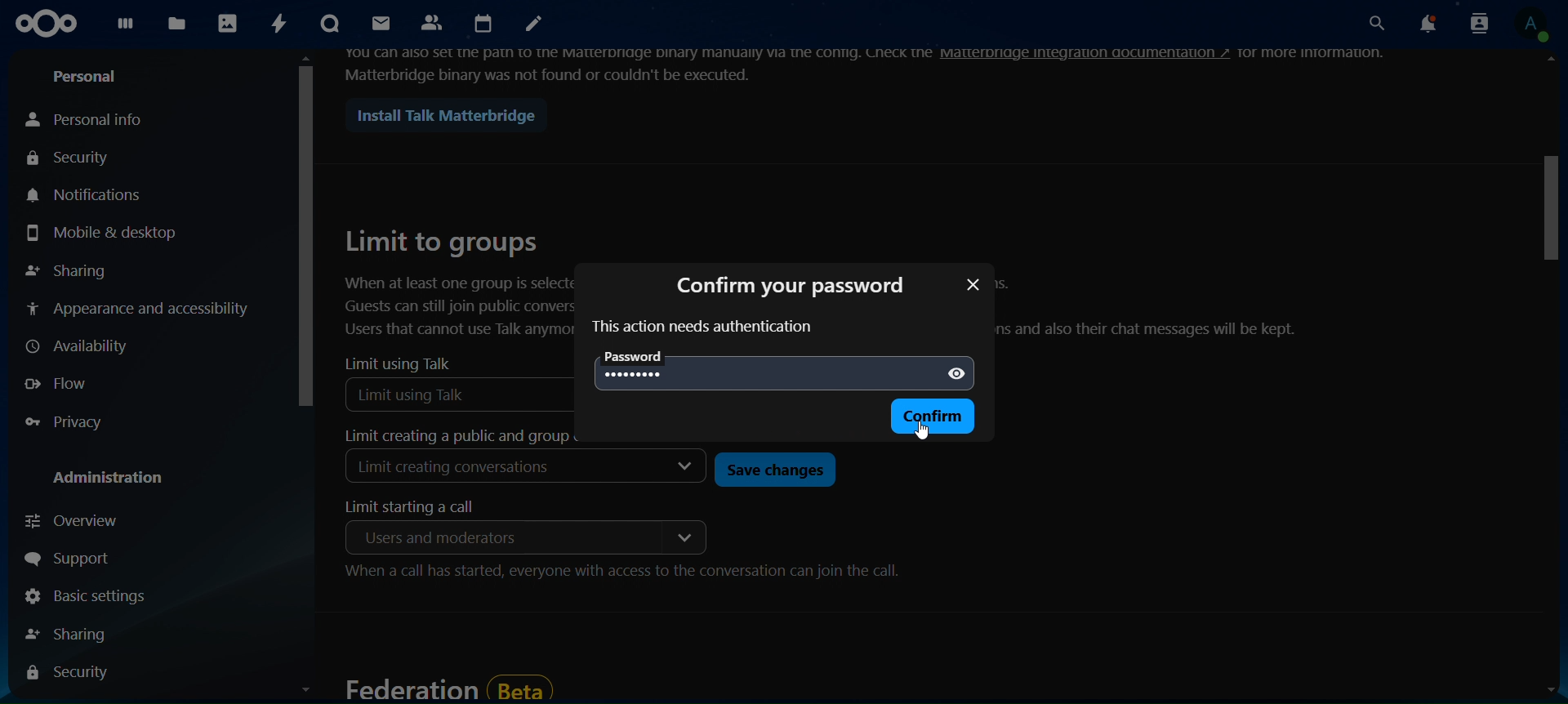  Describe the element at coordinates (399, 363) in the screenshot. I see `limit using talk` at that location.